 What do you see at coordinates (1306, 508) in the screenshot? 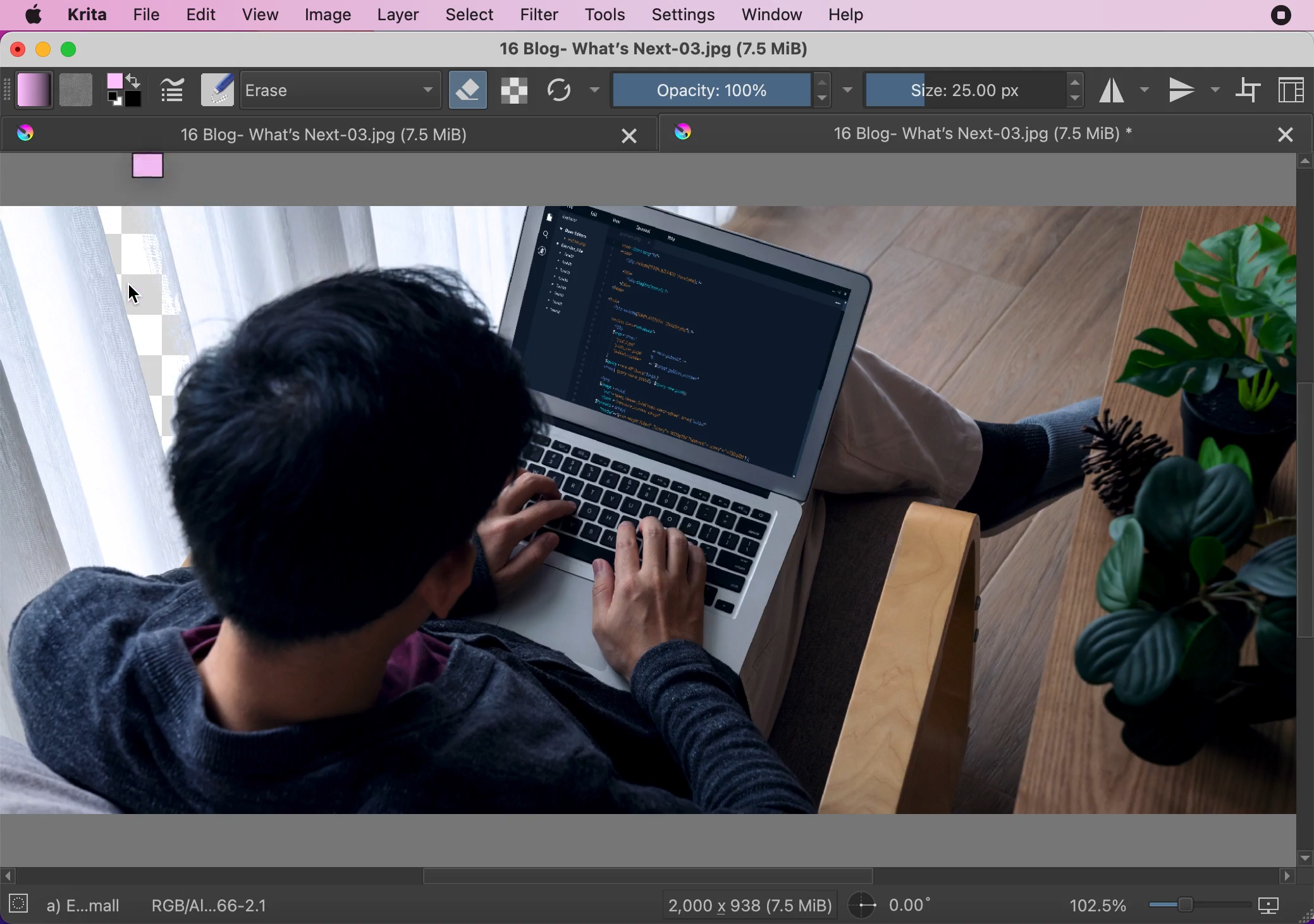
I see `scroll vertical bar` at bounding box center [1306, 508].